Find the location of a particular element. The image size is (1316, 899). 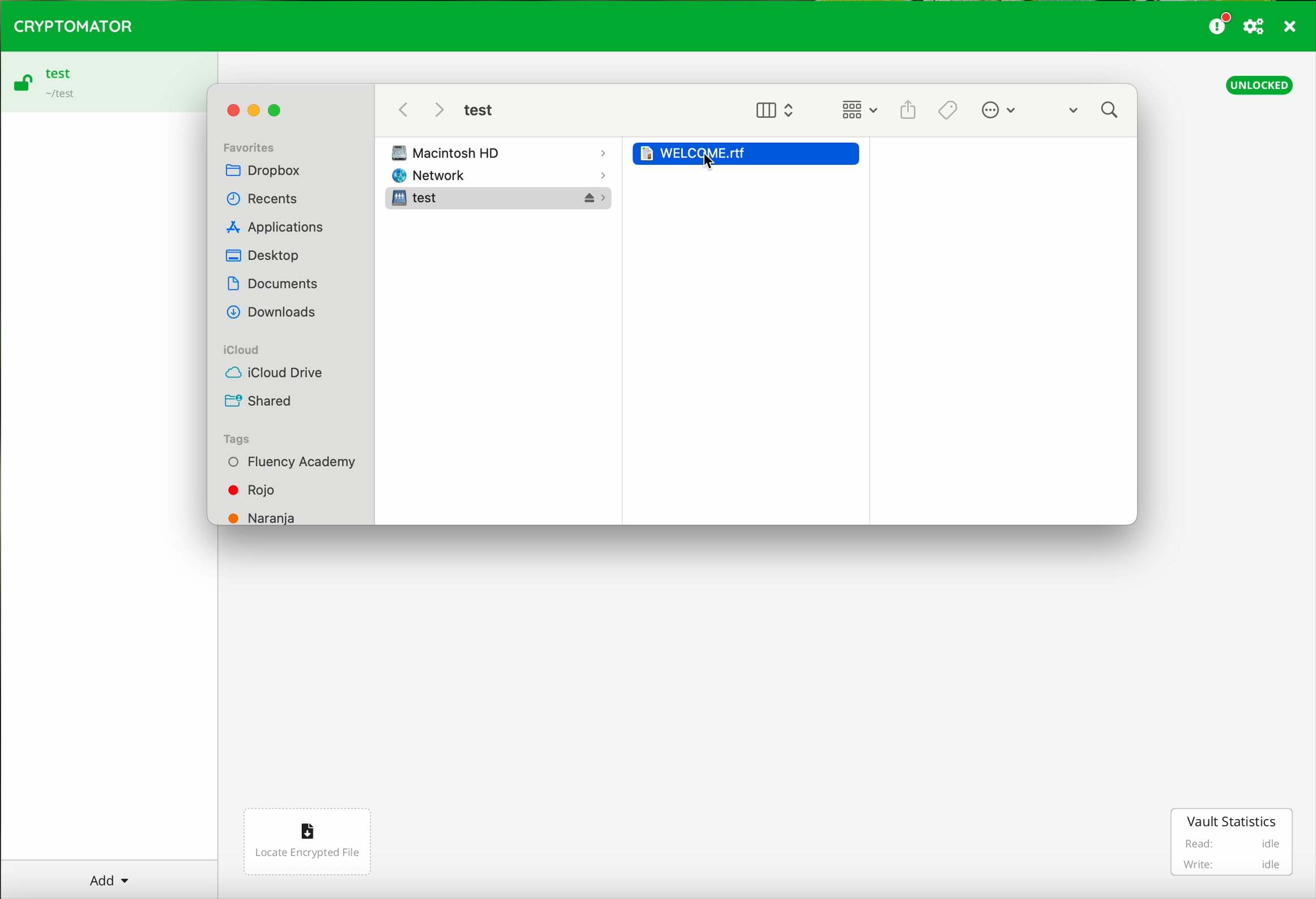

Fluency Academy is located at coordinates (291, 462).